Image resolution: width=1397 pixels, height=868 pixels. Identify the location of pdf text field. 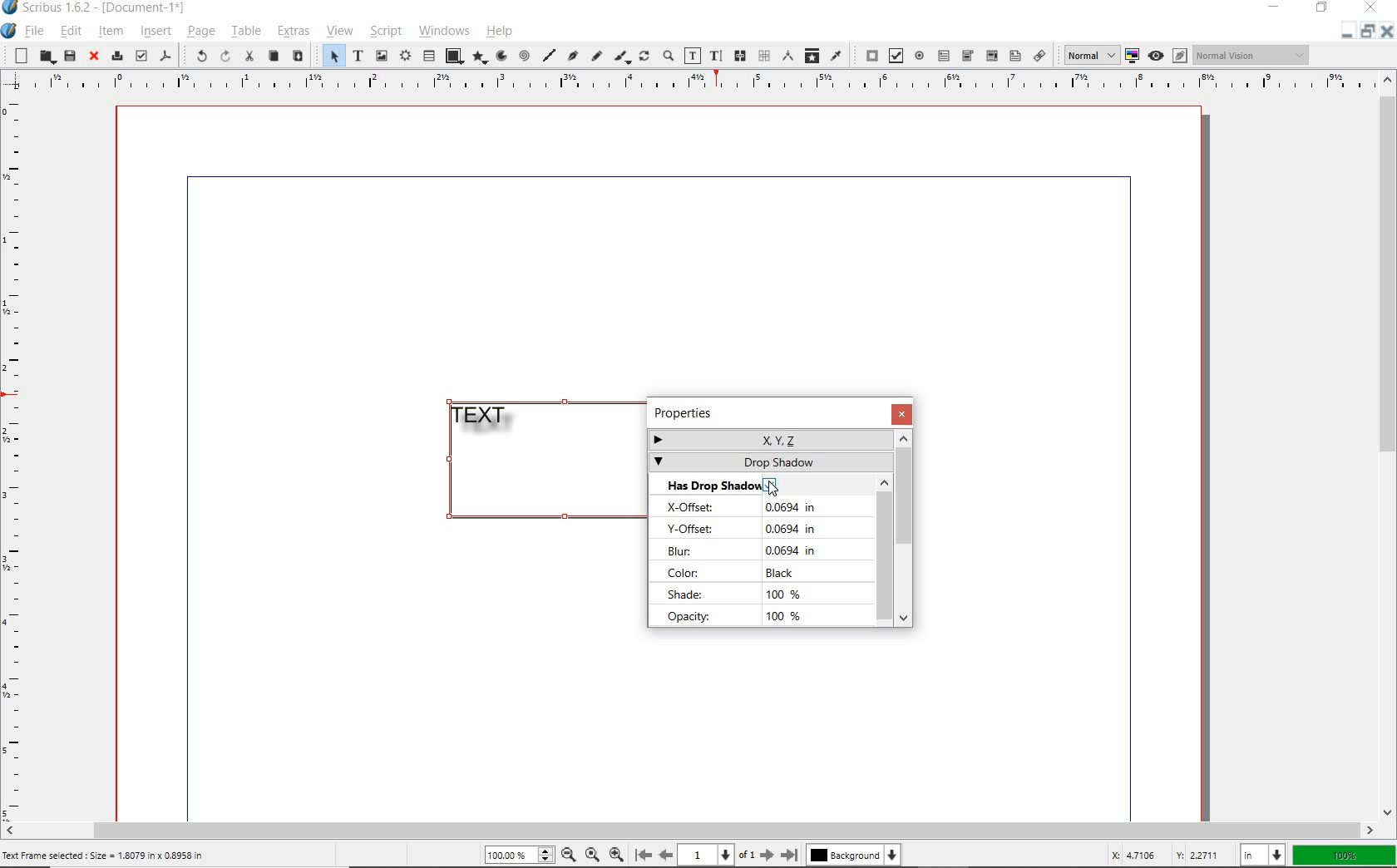
(945, 56).